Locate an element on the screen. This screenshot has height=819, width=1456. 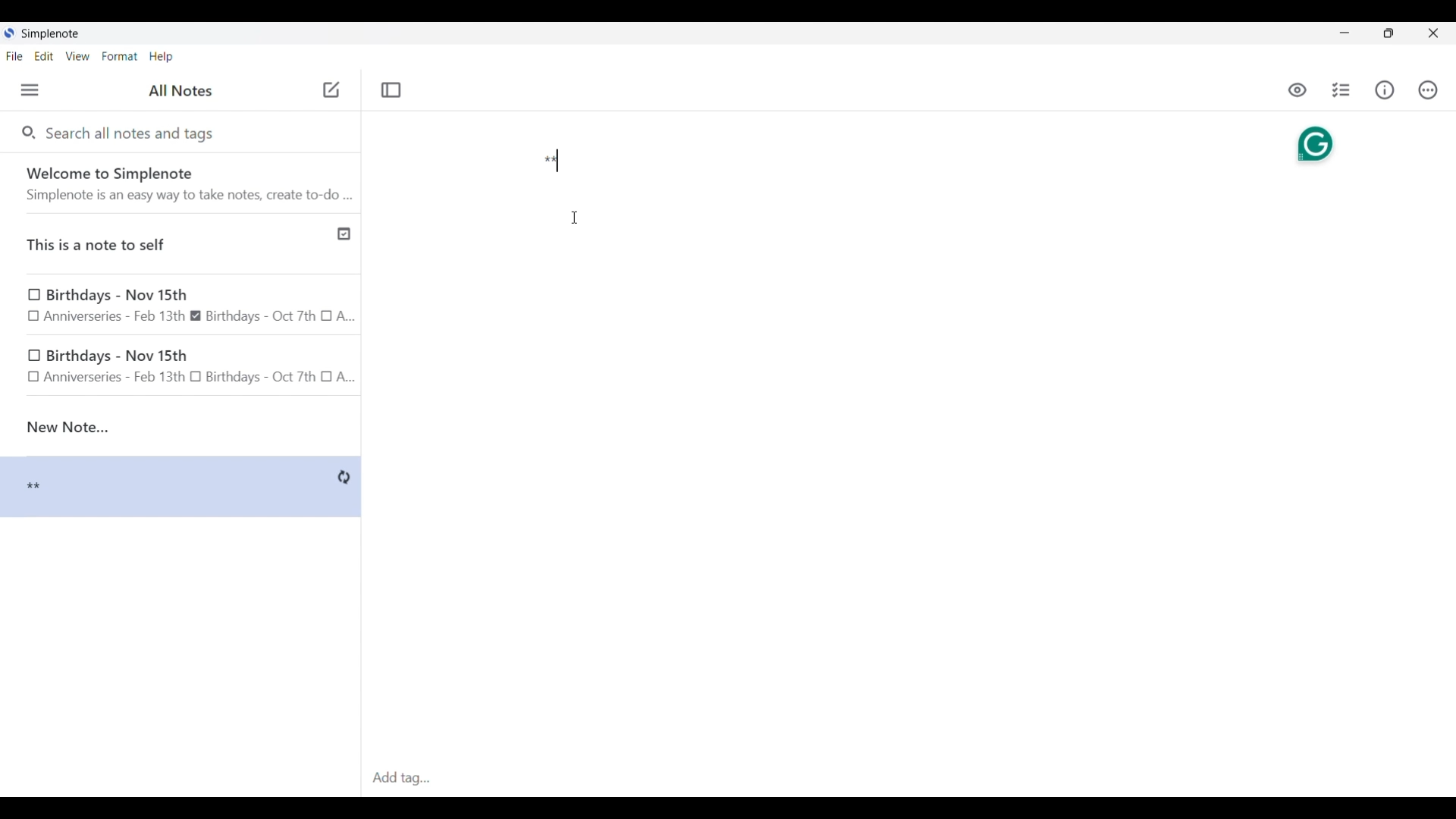
Toggle focus mode is located at coordinates (391, 90).